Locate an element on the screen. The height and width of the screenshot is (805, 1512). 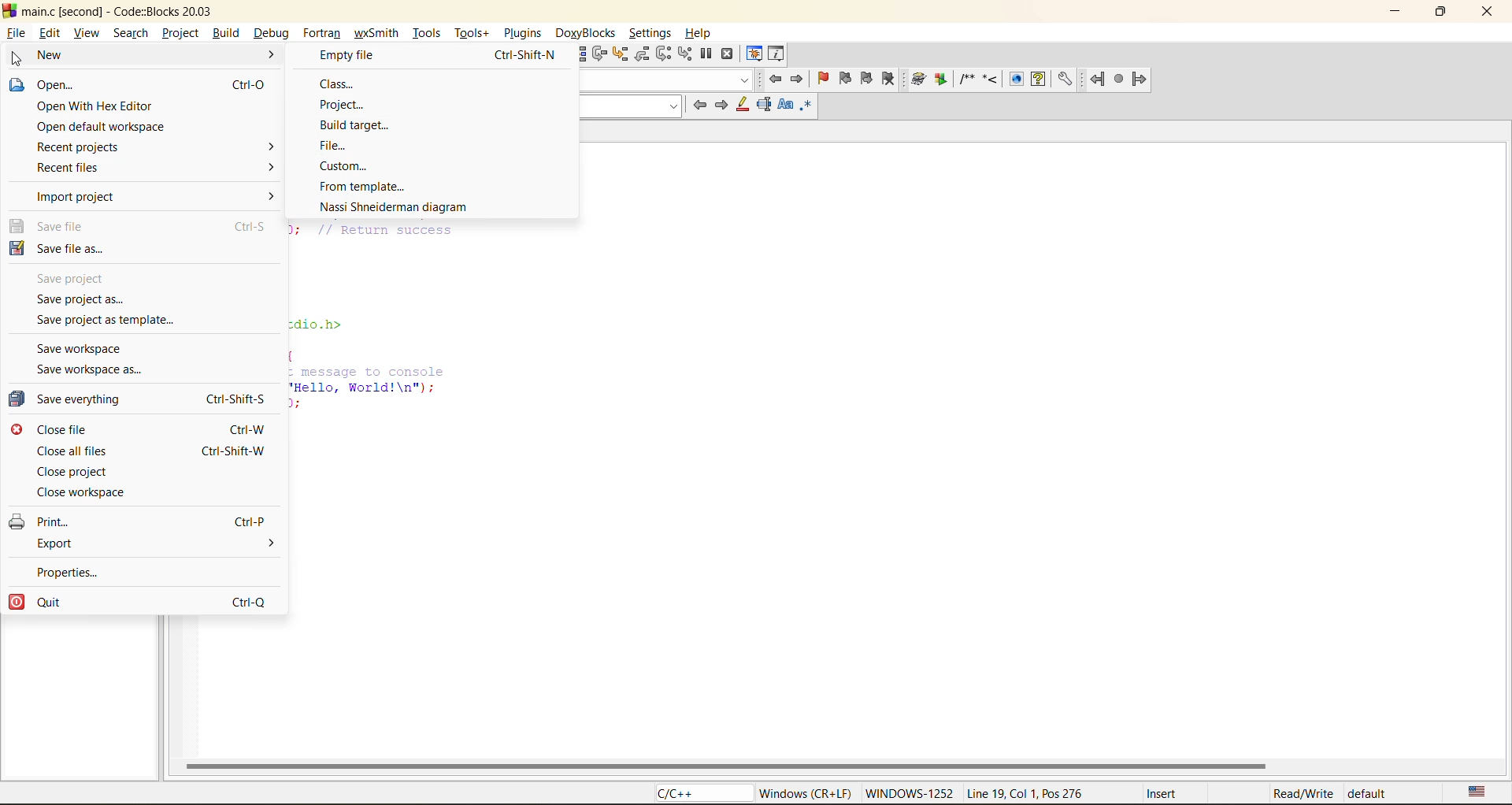
run to cursor is located at coordinates (576, 54).